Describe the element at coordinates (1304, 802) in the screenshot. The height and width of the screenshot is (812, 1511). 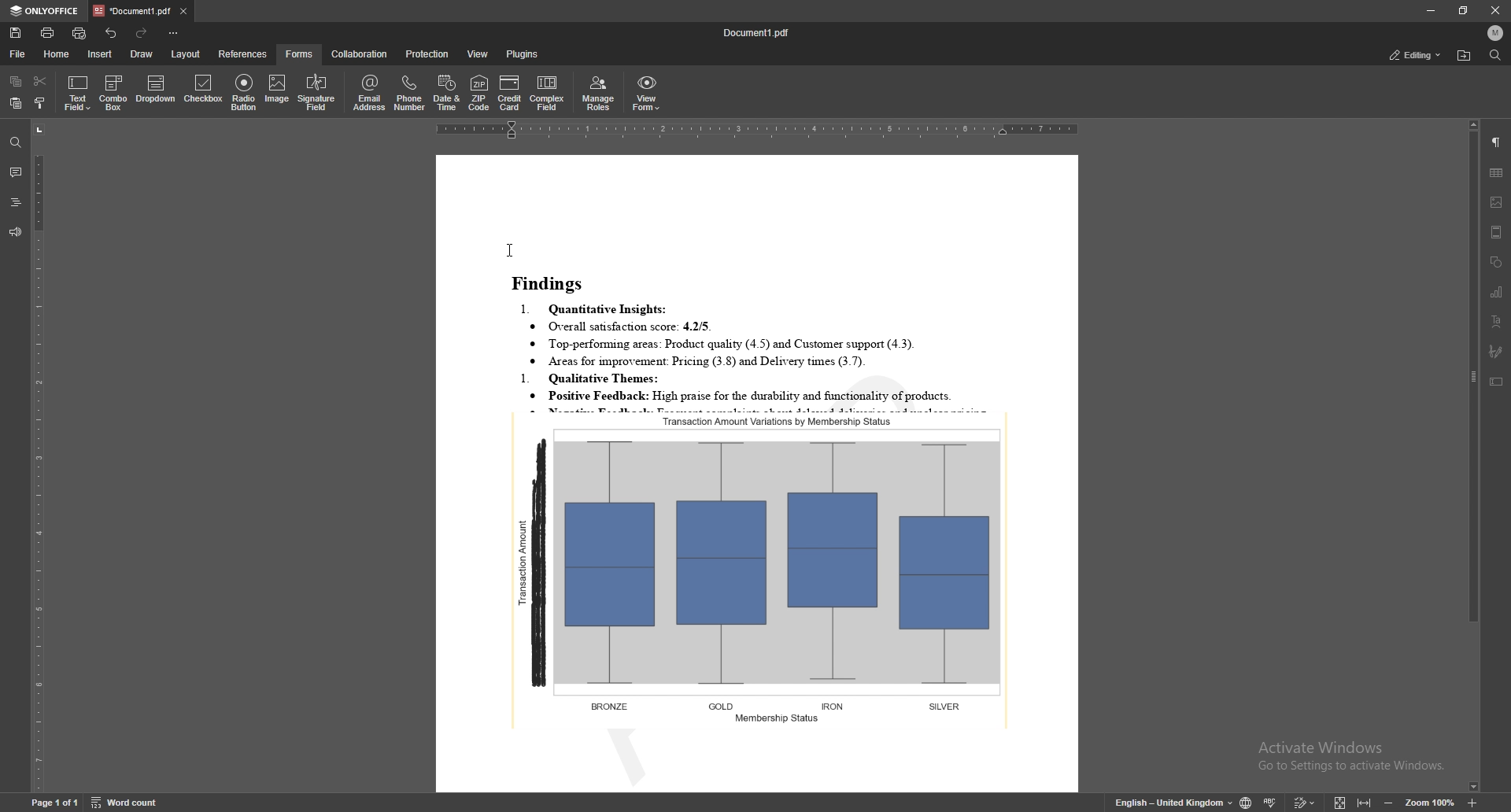
I see `track change` at that location.